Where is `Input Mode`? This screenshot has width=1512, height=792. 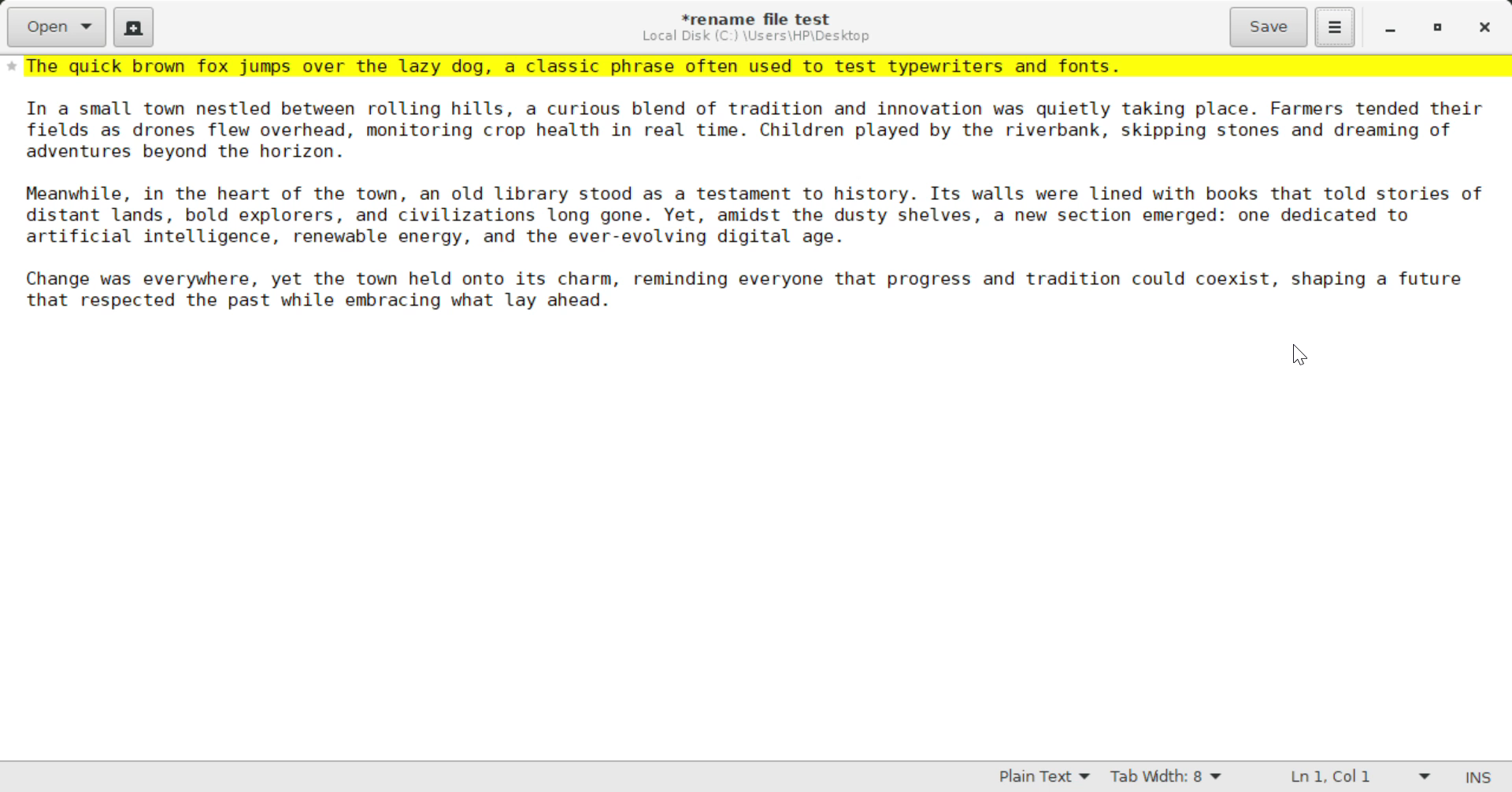 Input Mode is located at coordinates (1483, 776).